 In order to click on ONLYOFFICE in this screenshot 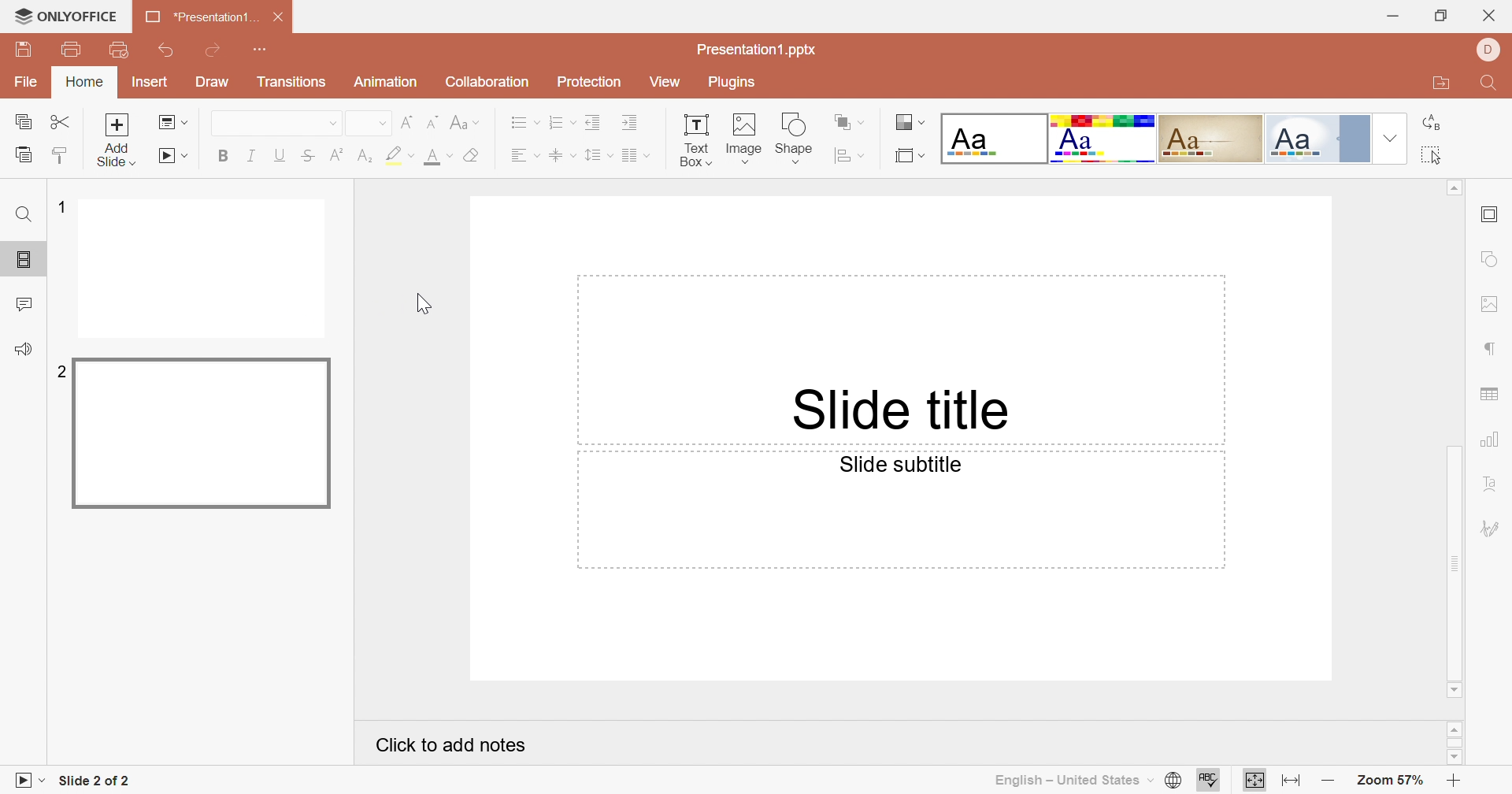, I will do `click(69, 17)`.